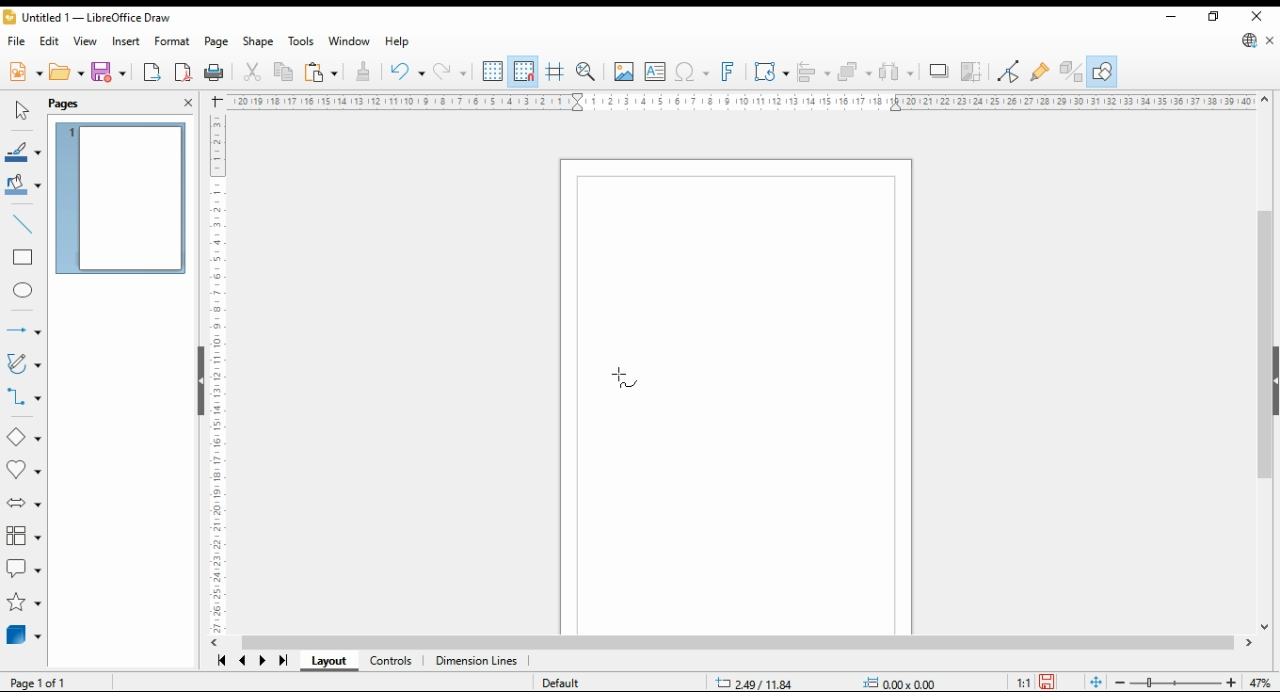 The height and width of the screenshot is (692, 1280). Describe the element at coordinates (126, 40) in the screenshot. I see `insert` at that location.